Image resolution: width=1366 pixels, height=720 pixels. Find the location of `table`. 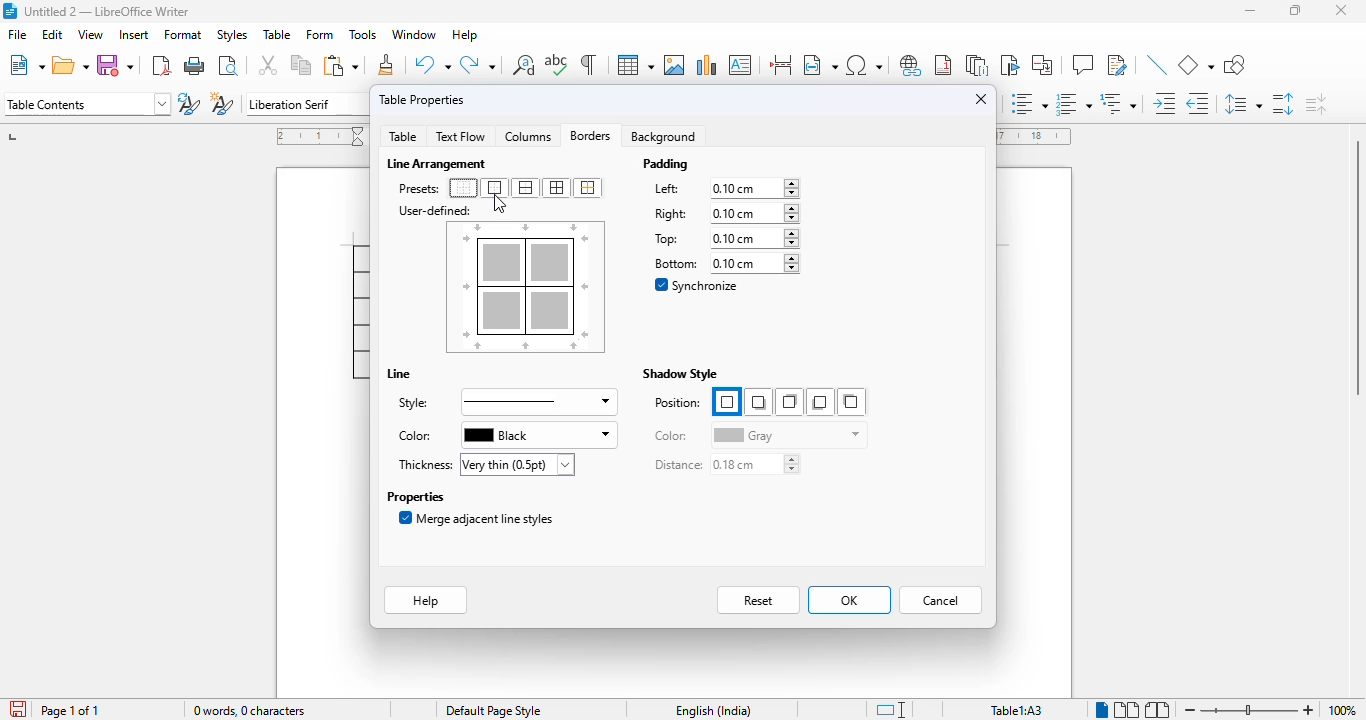

table is located at coordinates (635, 65).